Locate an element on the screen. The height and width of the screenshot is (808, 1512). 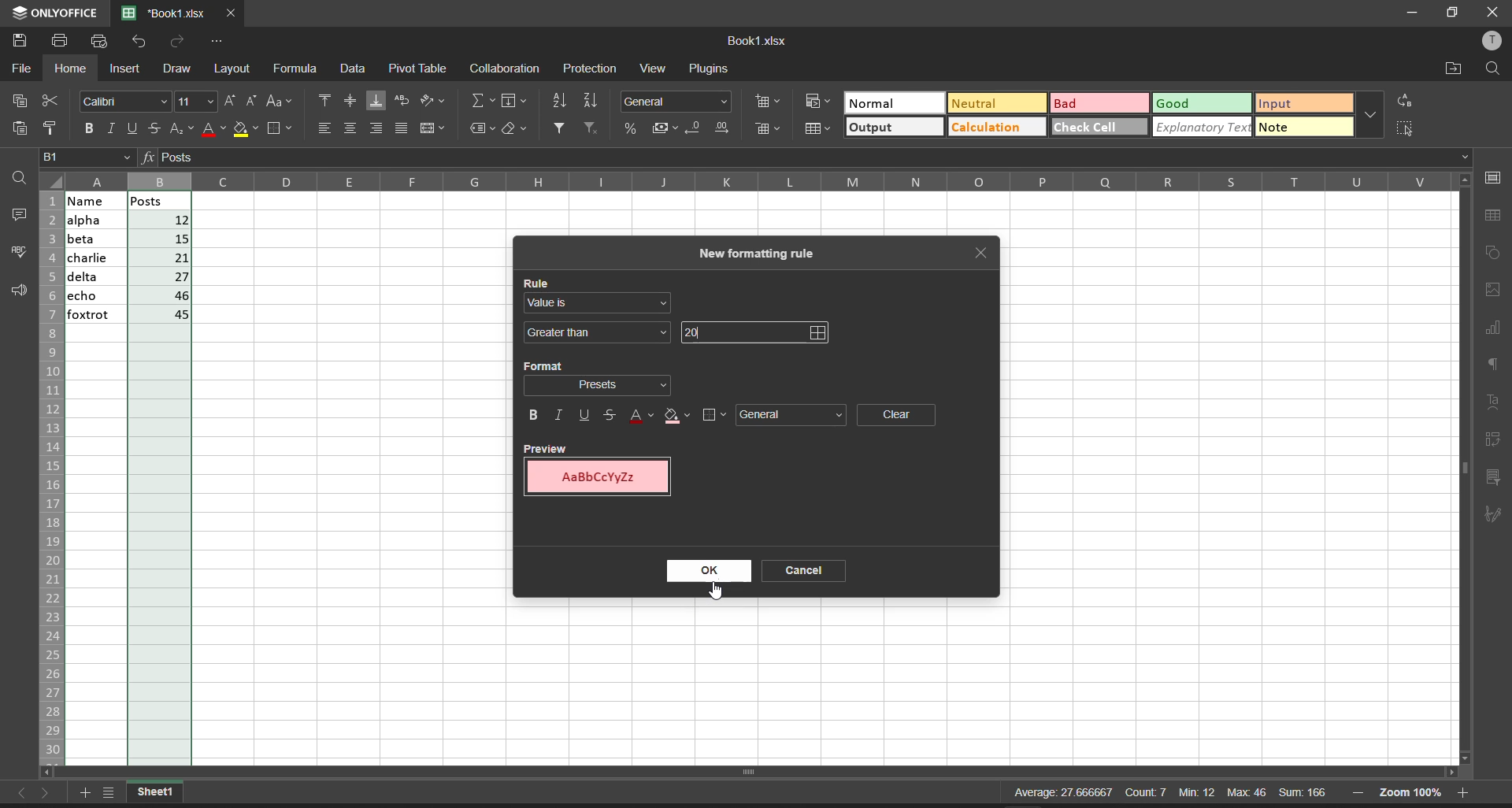
redo is located at coordinates (176, 42).